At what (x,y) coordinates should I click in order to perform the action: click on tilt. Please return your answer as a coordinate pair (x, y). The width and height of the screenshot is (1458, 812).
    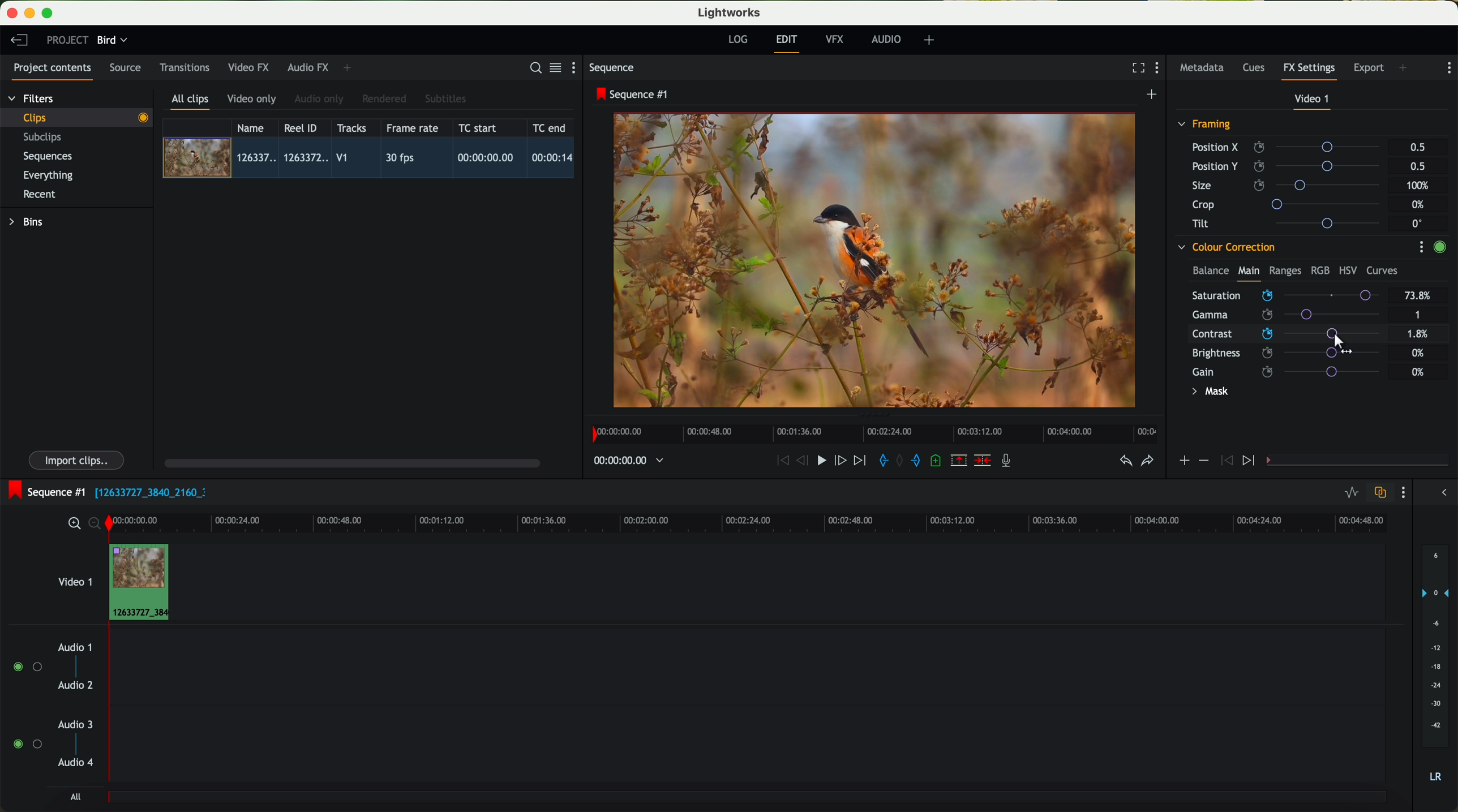
    Looking at the image, I should click on (1291, 223).